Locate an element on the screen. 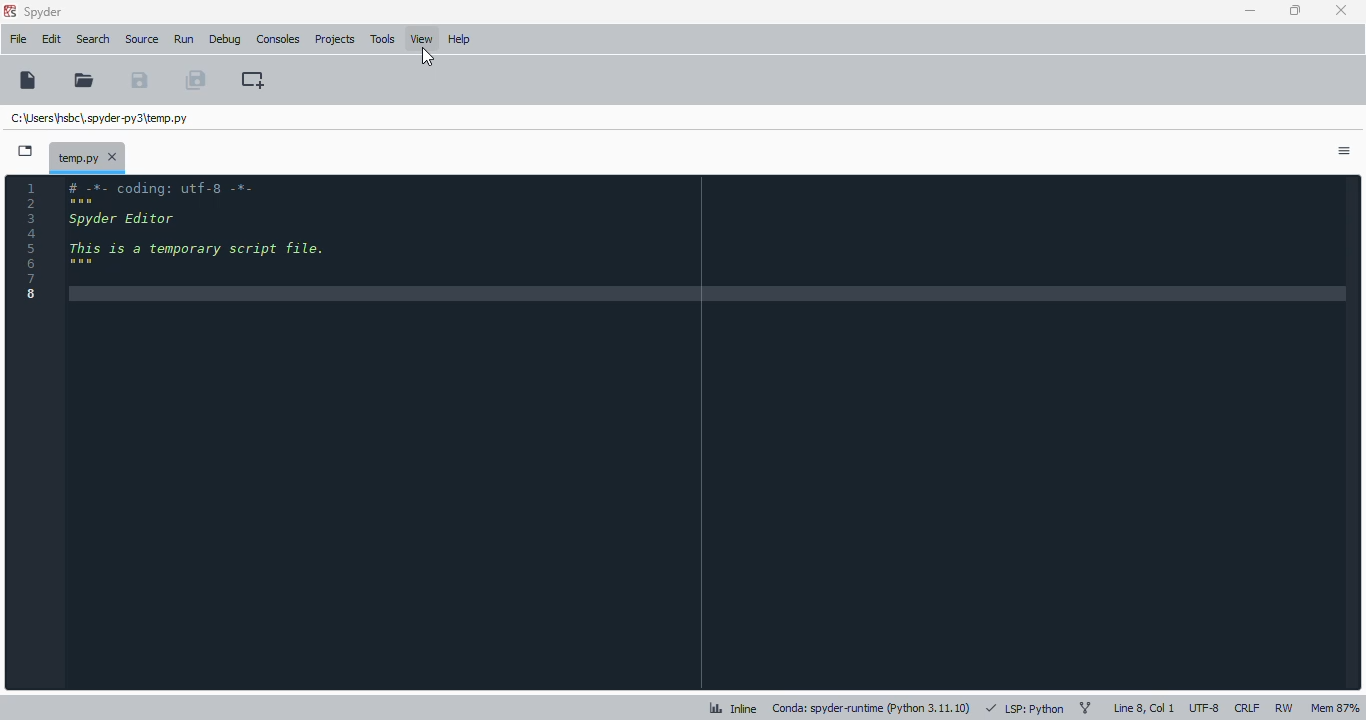 Image resolution: width=1366 pixels, height=720 pixels. browse tabs is located at coordinates (25, 151).